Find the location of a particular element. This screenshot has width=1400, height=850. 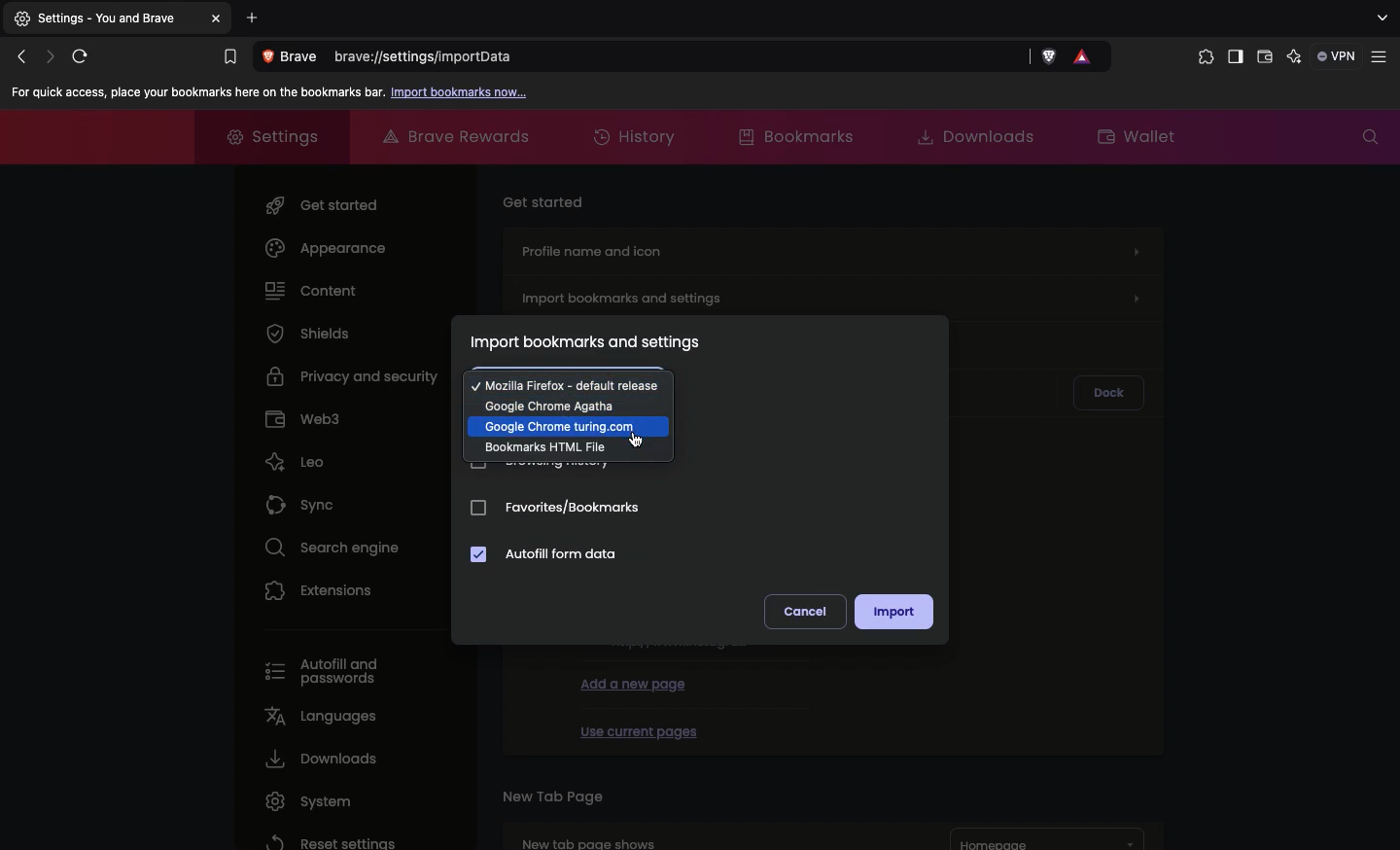

Sync is located at coordinates (304, 500).